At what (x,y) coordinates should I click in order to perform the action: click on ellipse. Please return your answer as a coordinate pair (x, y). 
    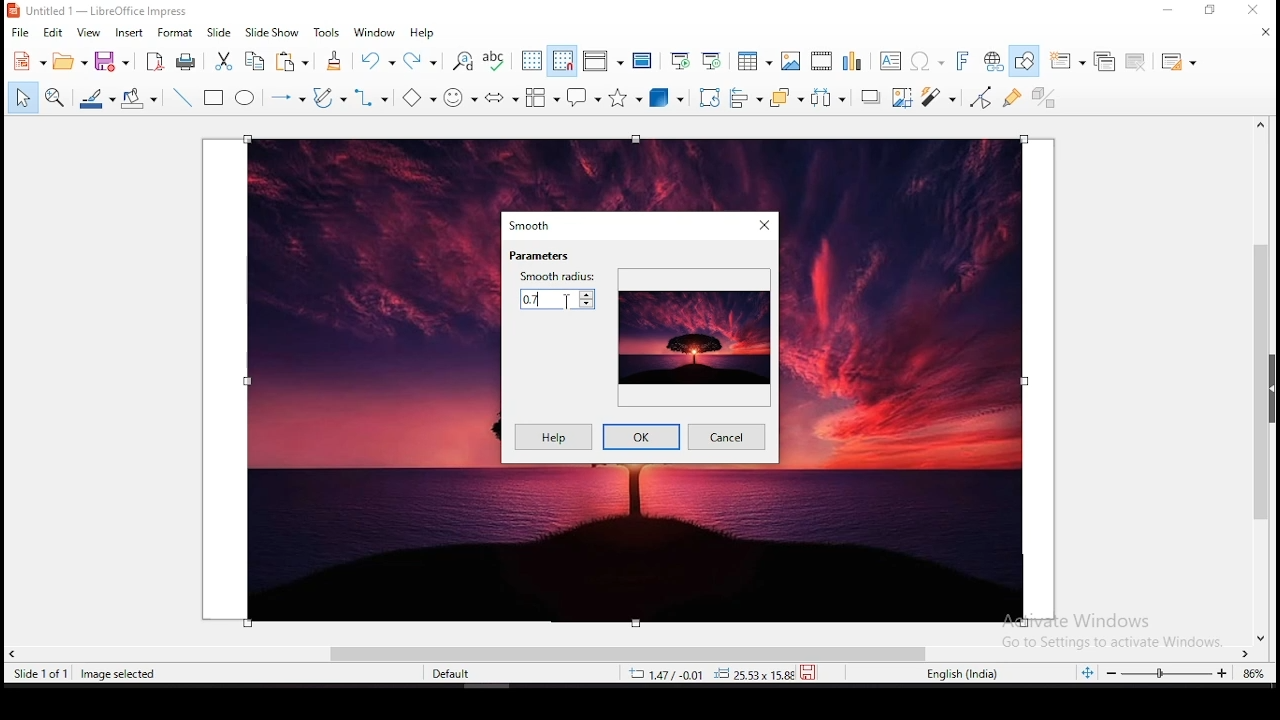
    Looking at the image, I should click on (246, 98).